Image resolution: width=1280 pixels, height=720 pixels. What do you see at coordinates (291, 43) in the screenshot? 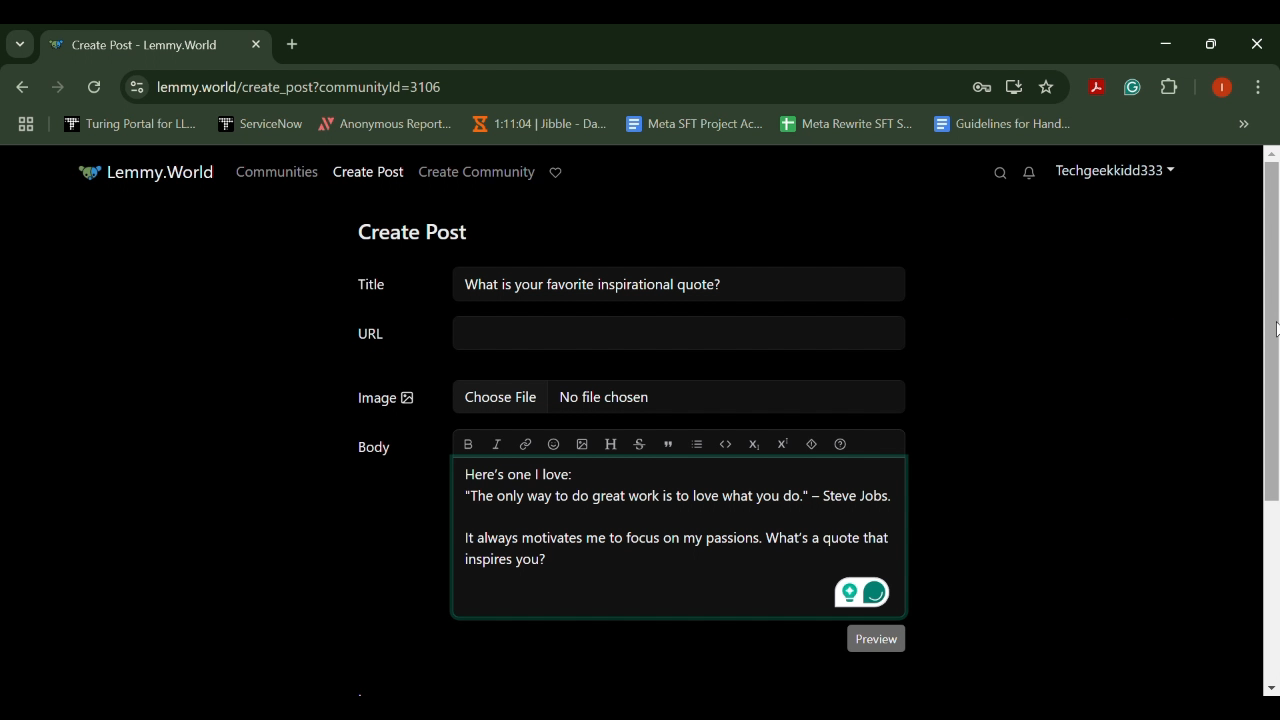
I see `Add Tab` at bounding box center [291, 43].